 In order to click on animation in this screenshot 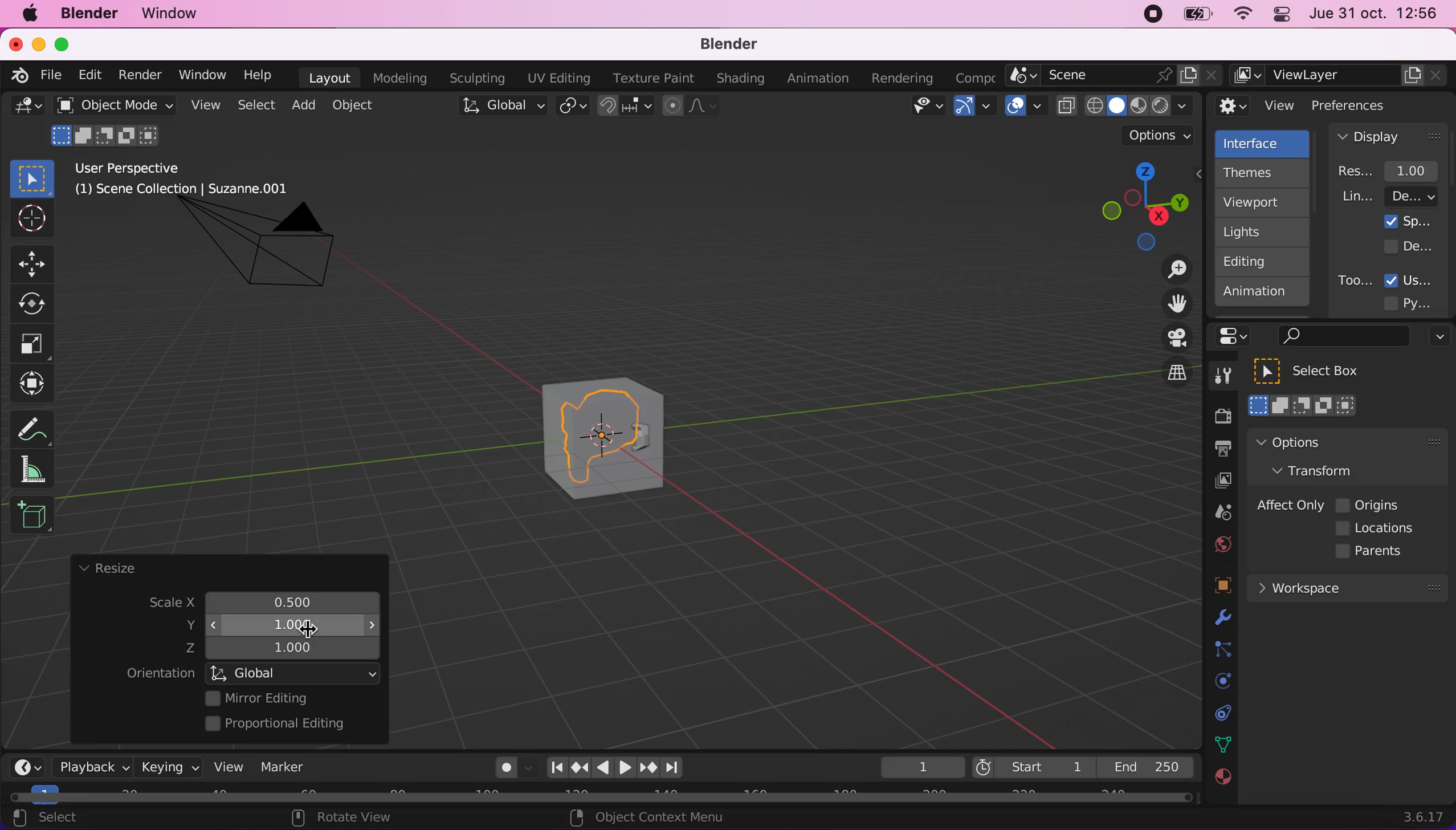, I will do `click(1263, 295)`.